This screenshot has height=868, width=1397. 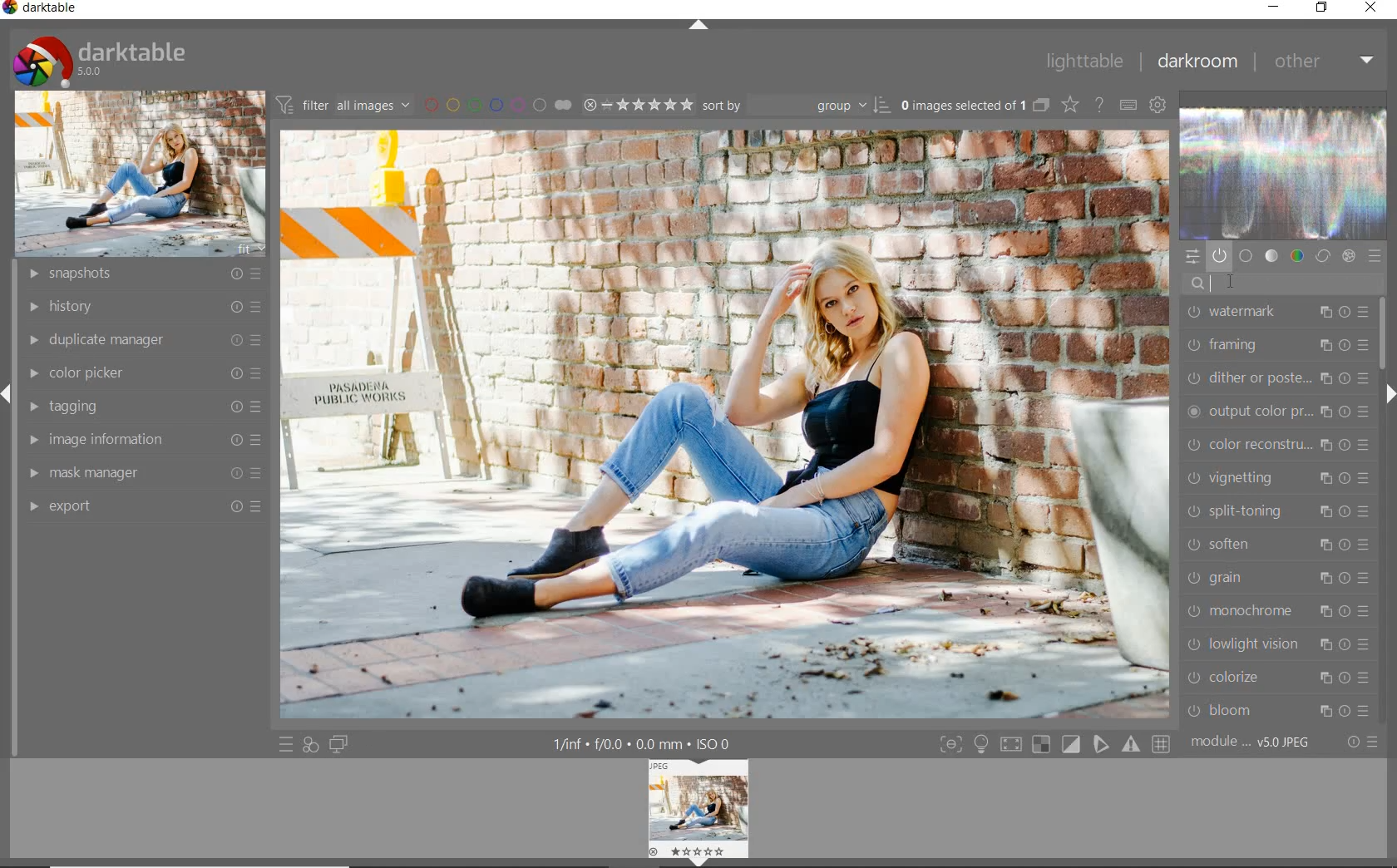 I want to click on tagging, so click(x=140, y=407).